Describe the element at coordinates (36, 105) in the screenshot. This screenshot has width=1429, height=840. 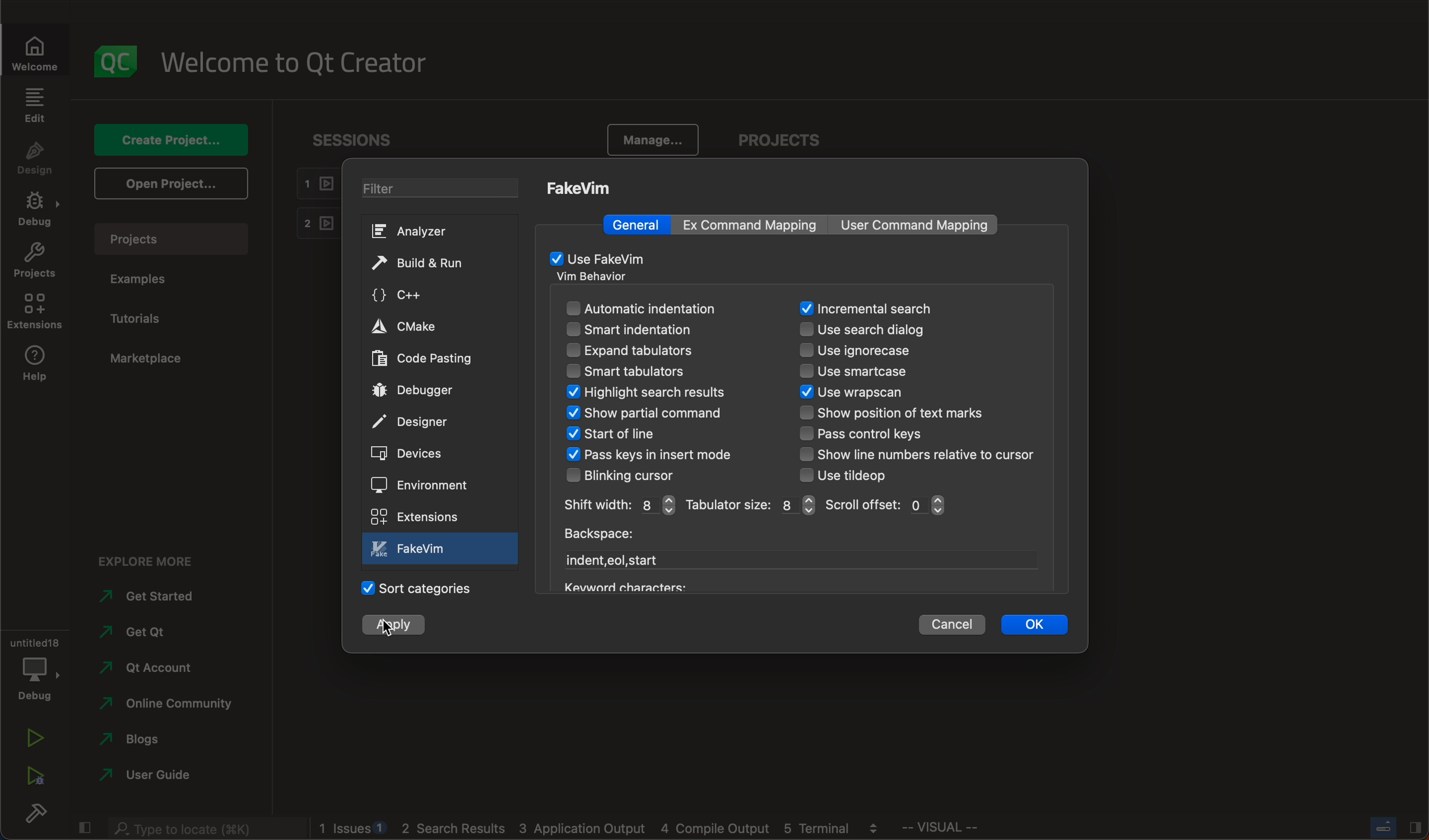
I see `edit` at that location.